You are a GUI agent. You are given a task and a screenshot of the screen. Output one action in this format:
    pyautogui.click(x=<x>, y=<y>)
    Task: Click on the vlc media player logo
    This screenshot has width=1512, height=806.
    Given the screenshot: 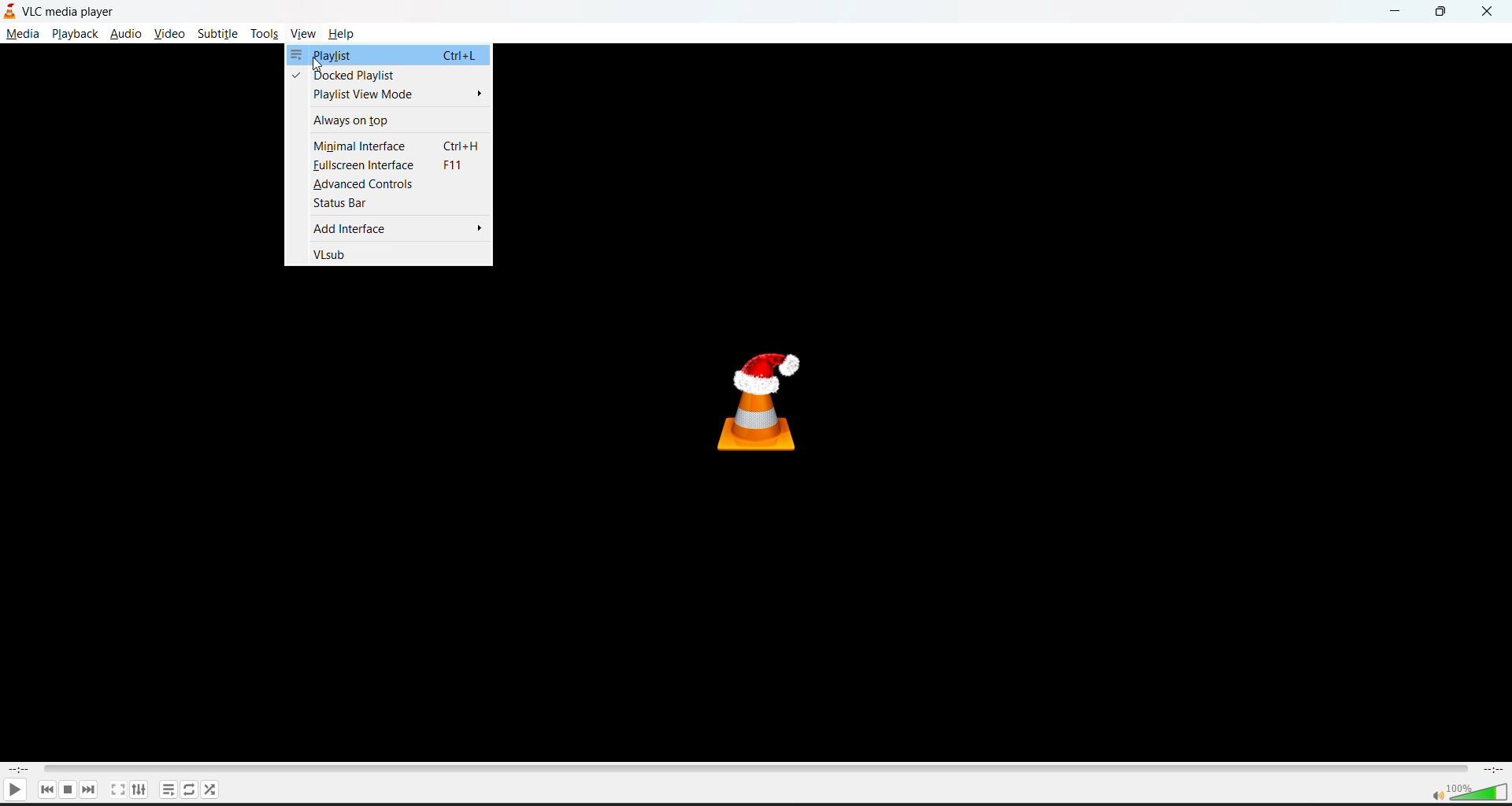 What is the action you would take?
    pyautogui.click(x=764, y=400)
    